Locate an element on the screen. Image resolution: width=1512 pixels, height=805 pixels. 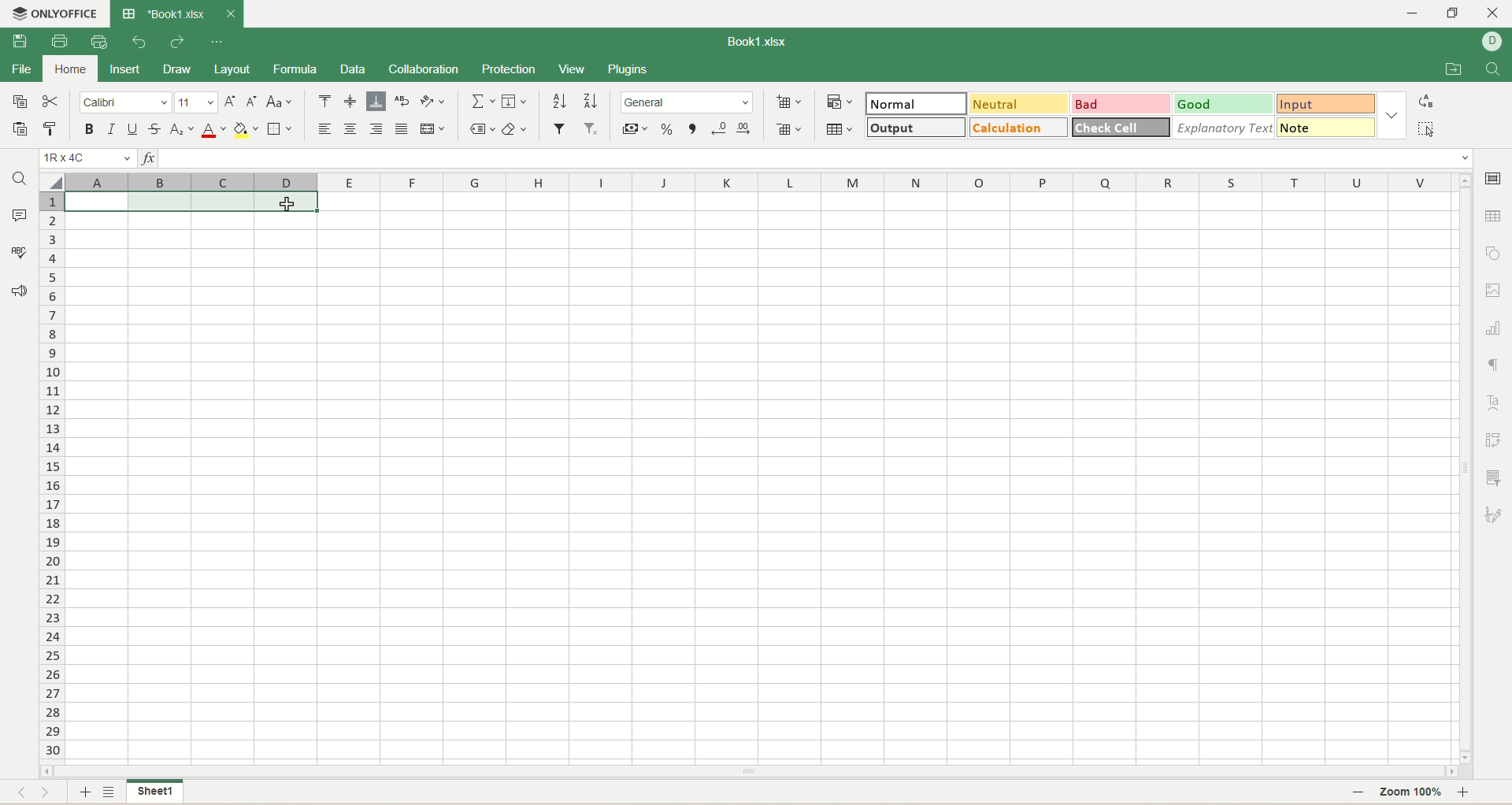
cell position is located at coordinates (89, 158).